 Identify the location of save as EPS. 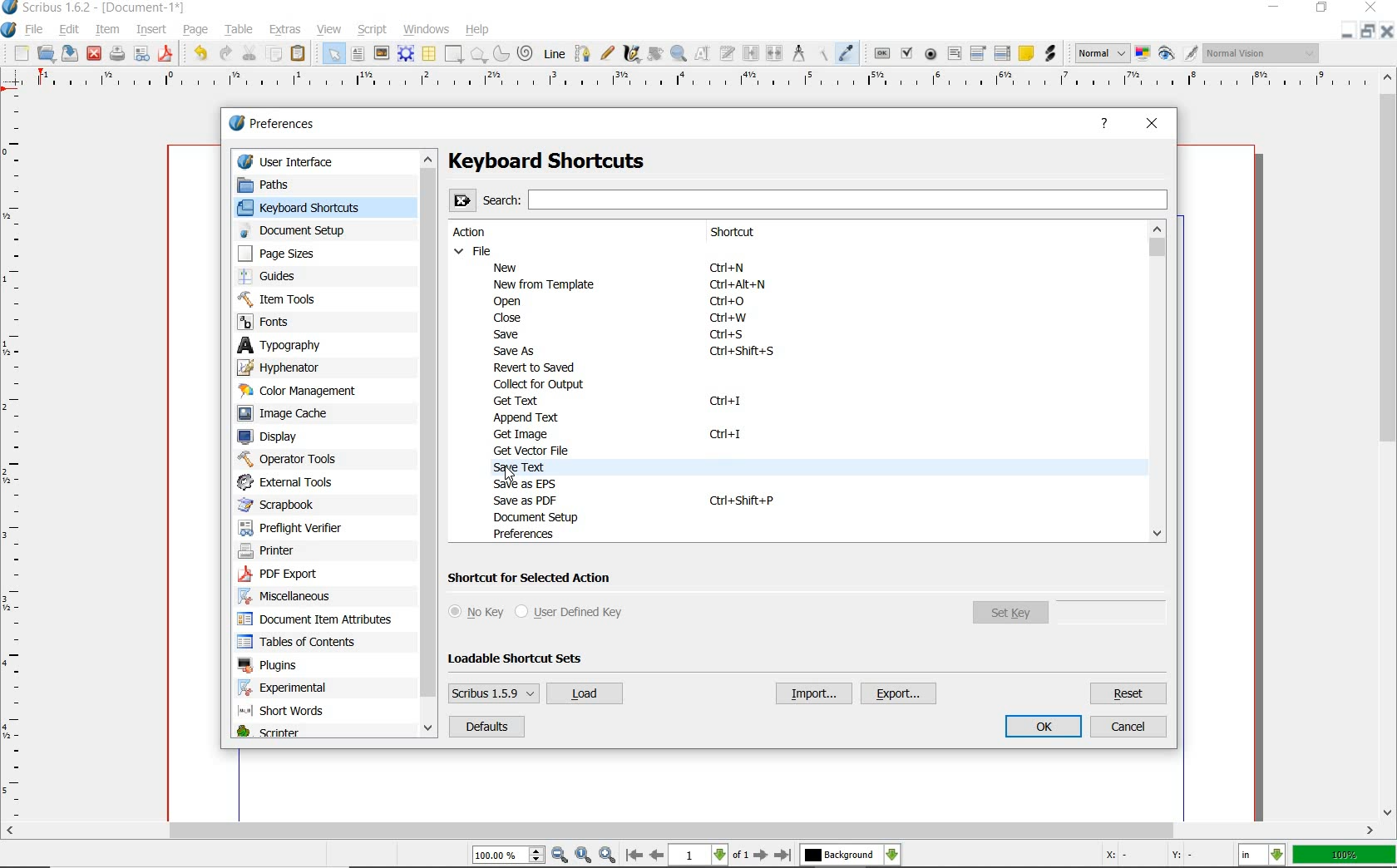
(526, 484).